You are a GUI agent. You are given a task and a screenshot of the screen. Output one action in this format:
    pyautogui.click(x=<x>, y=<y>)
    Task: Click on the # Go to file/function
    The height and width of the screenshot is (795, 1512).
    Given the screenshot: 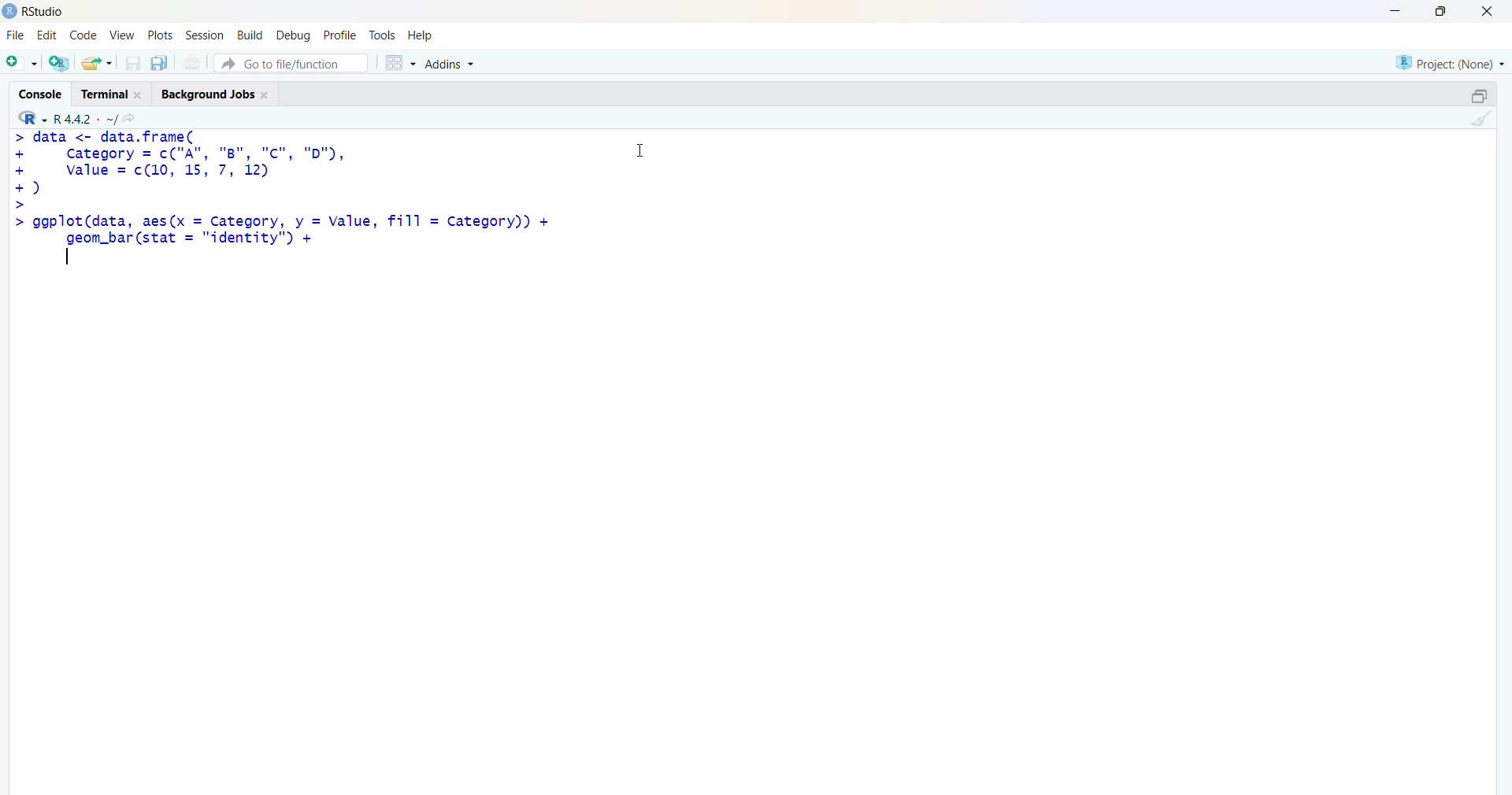 What is the action you would take?
    pyautogui.click(x=291, y=63)
    